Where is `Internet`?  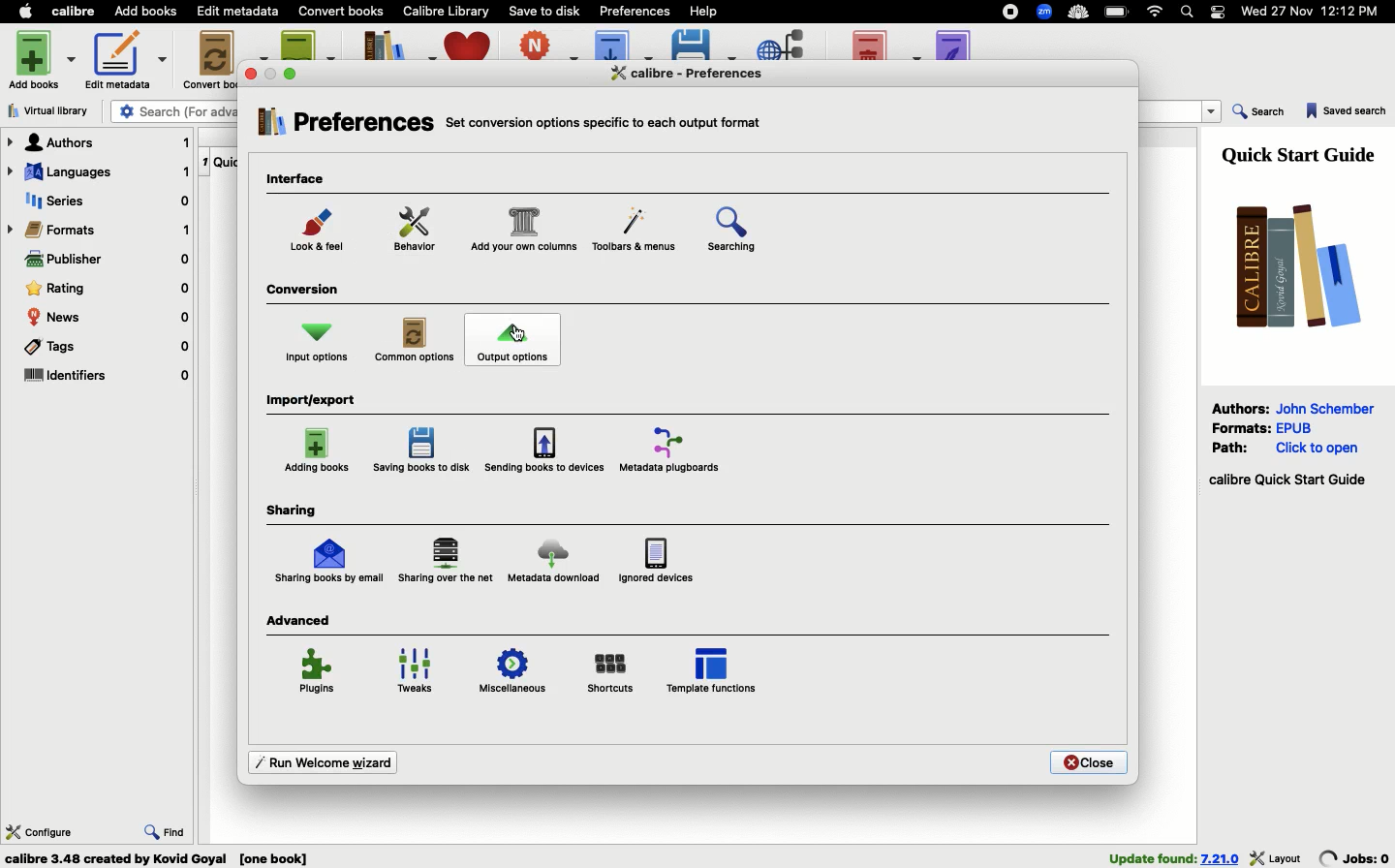
Internet is located at coordinates (1156, 12).